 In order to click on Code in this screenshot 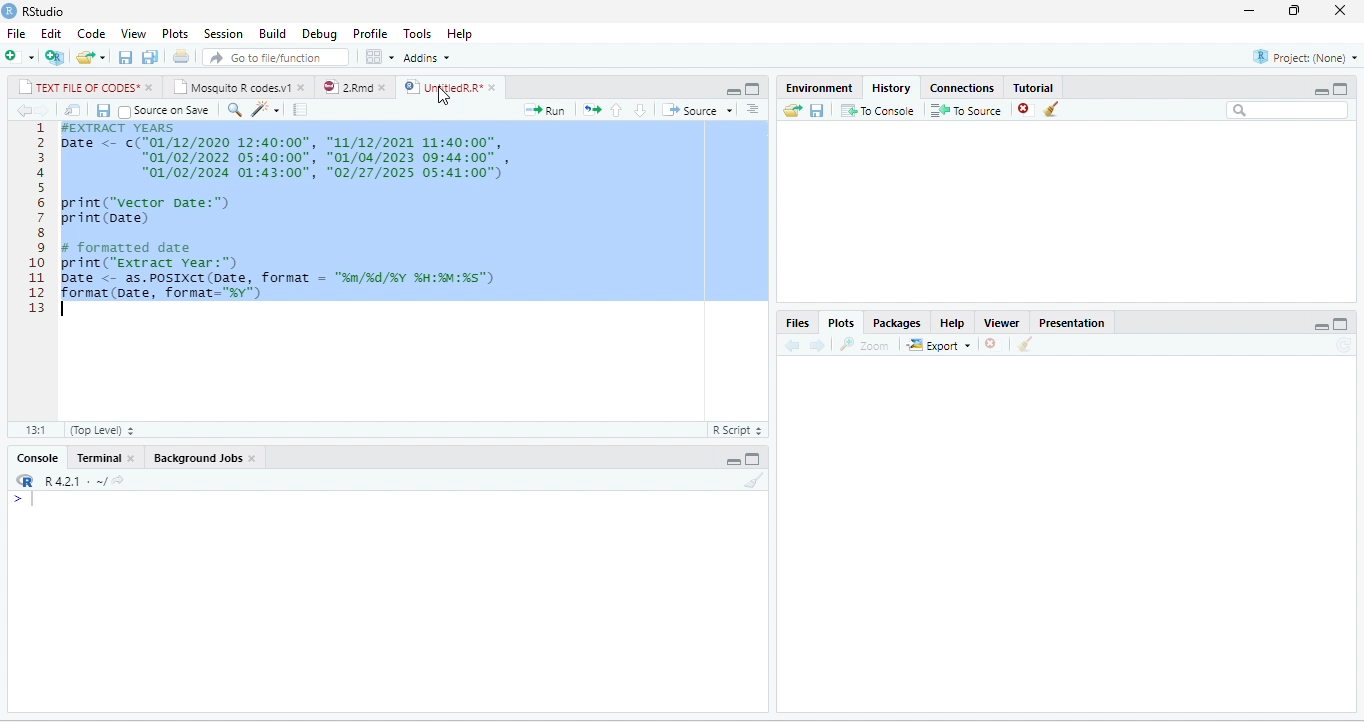, I will do `click(92, 34)`.